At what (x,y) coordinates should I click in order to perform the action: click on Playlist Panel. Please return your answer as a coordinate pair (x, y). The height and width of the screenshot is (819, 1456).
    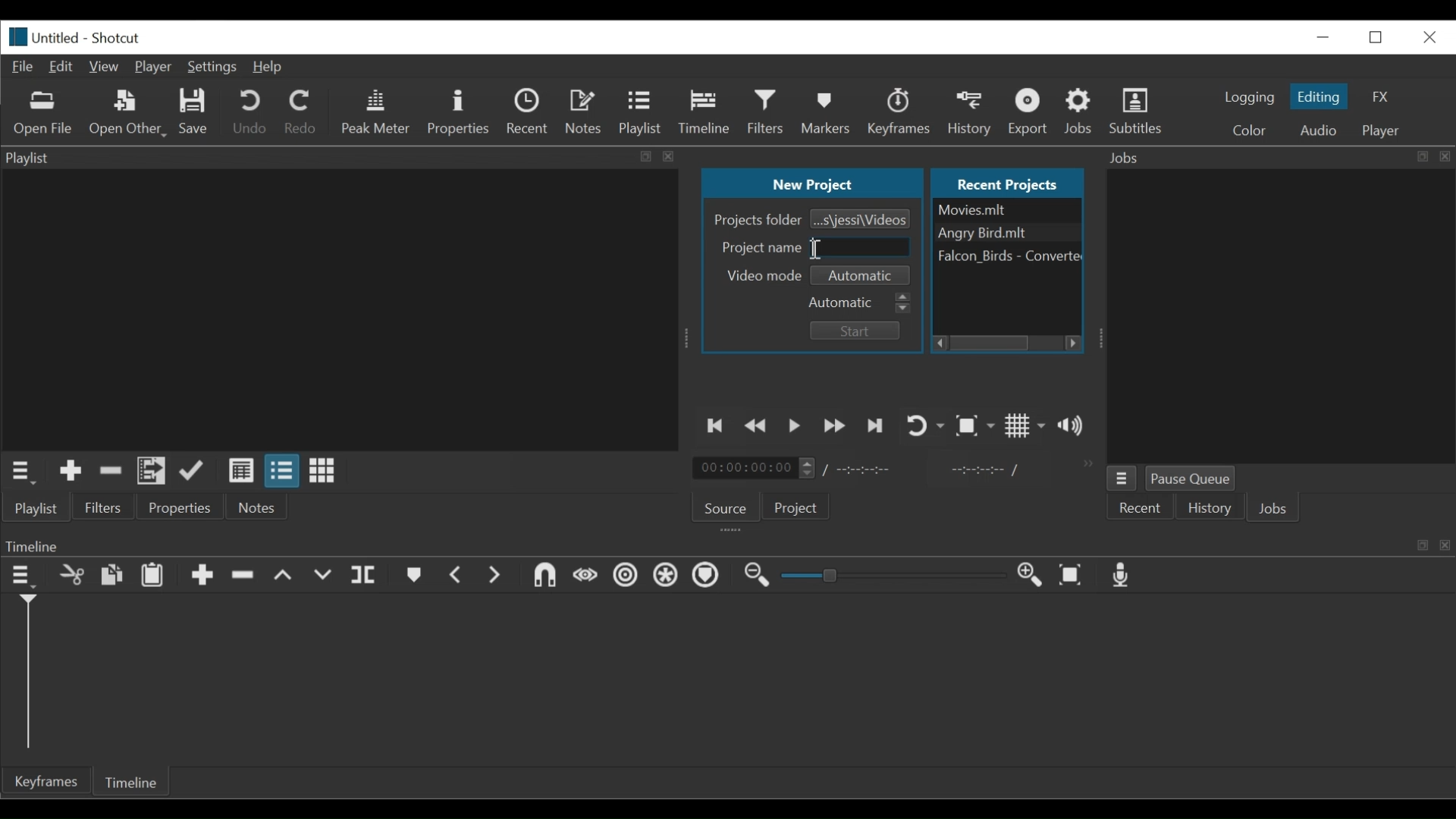
    Looking at the image, I should click on (340, 158).